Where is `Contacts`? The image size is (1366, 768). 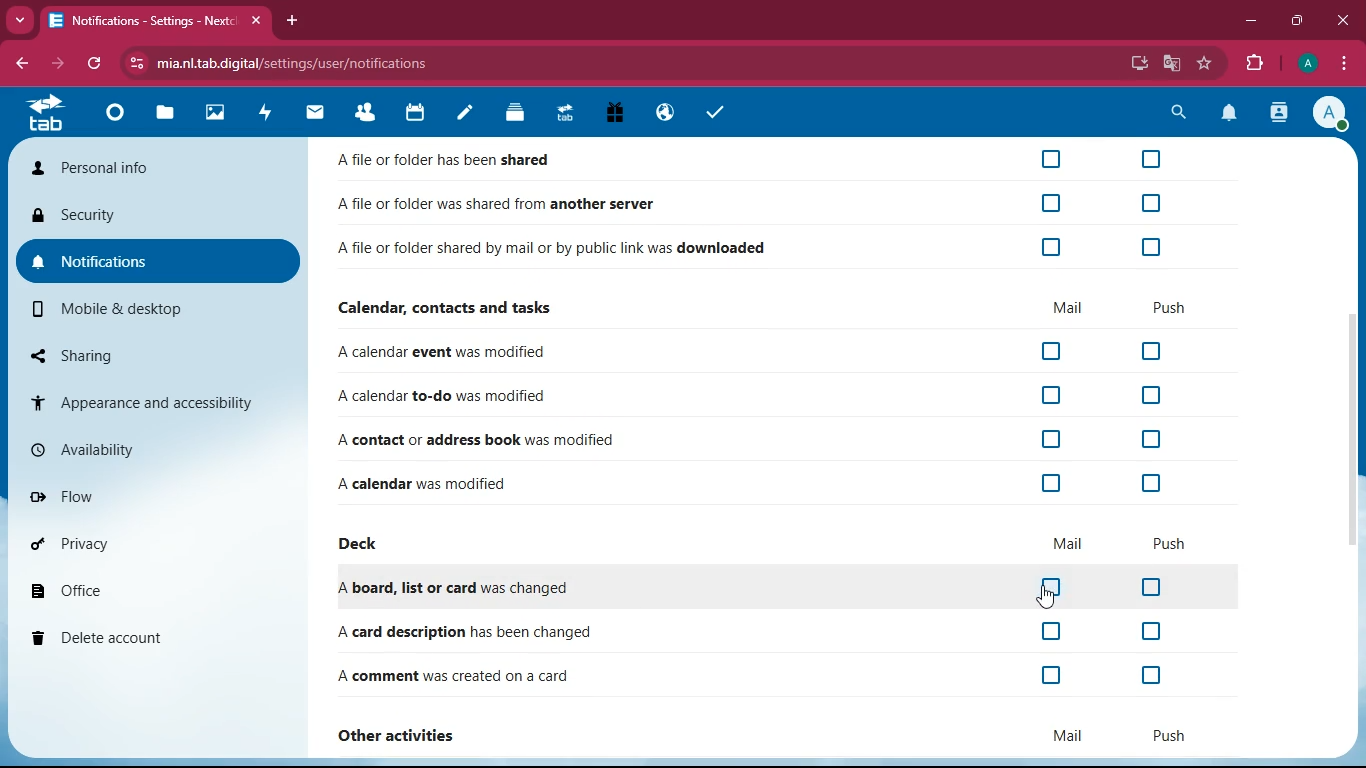 Contacts is located at coordinates (366, 114).